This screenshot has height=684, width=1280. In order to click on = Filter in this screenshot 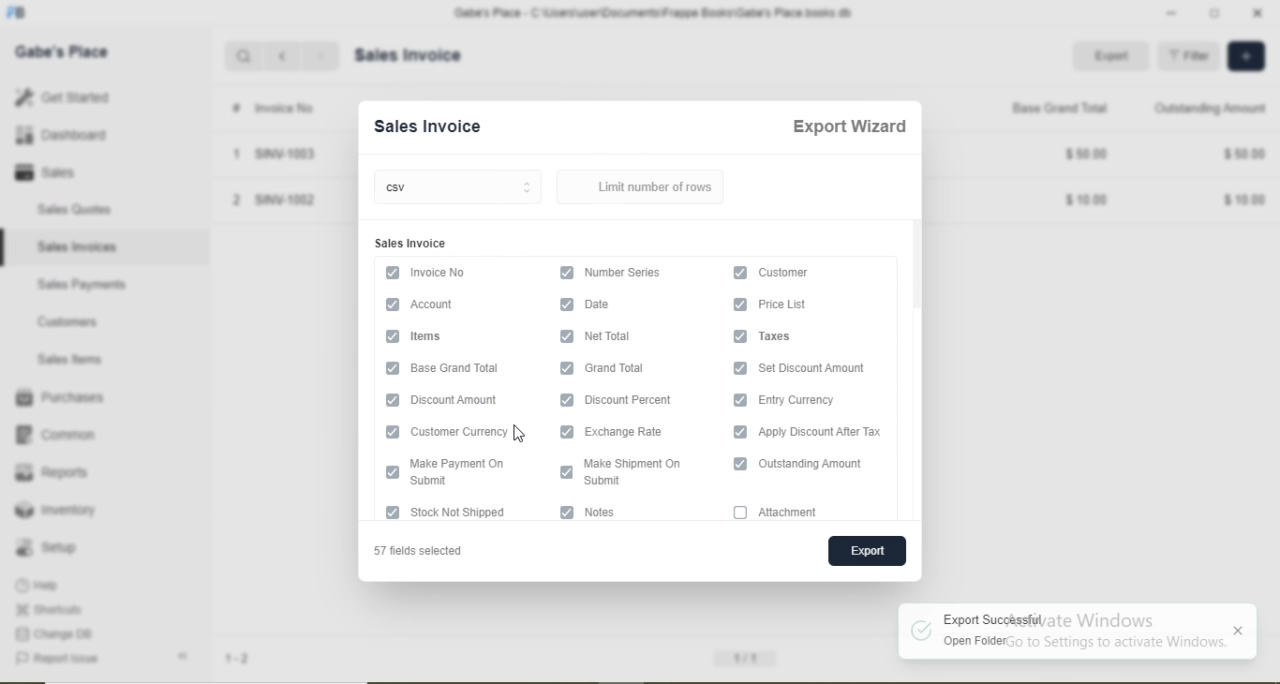, I will do `click(1189, 57)`.